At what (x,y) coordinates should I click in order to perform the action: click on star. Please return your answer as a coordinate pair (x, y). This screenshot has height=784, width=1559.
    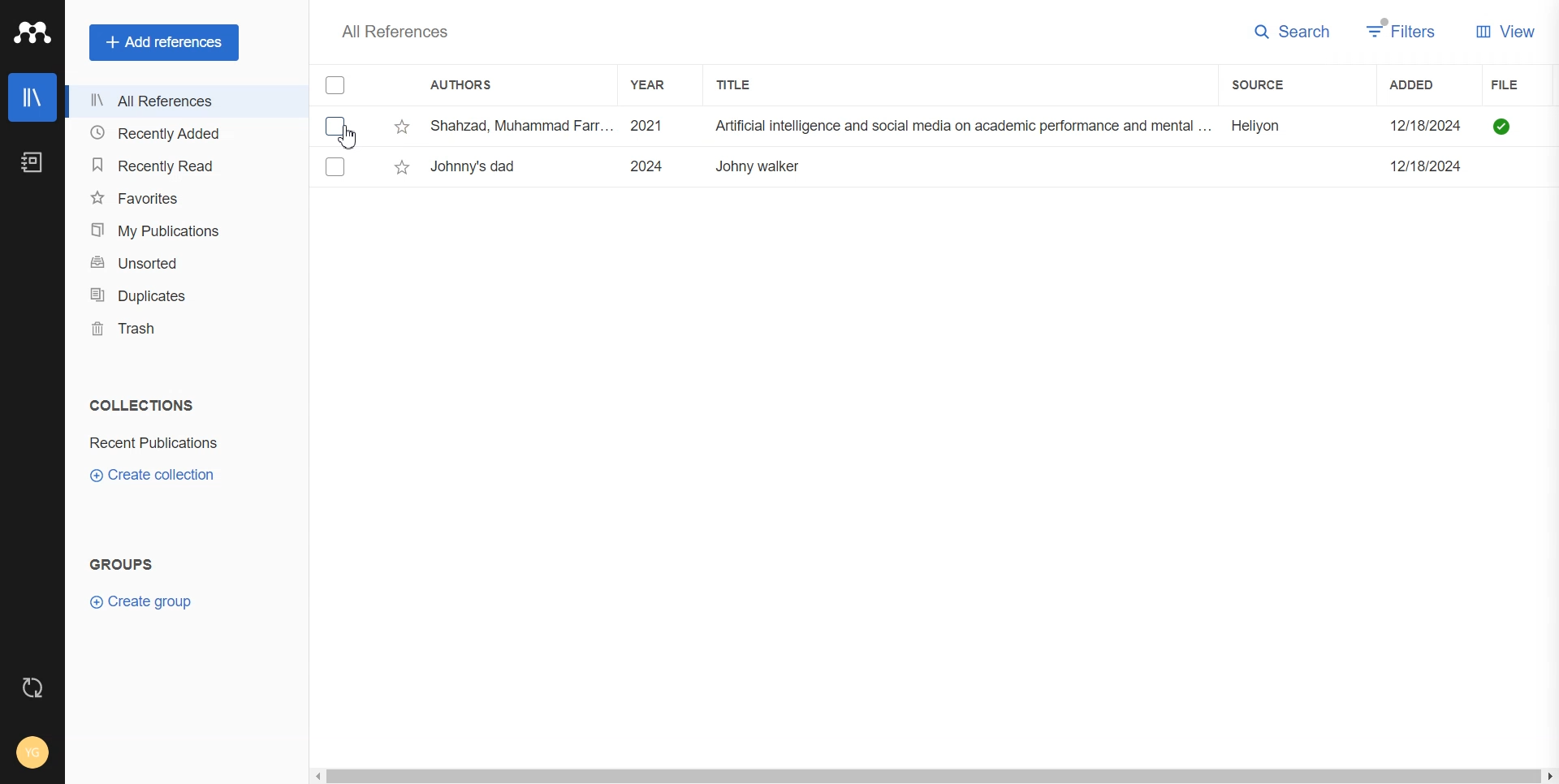
    Looking at the image, I should click on (402, 167).